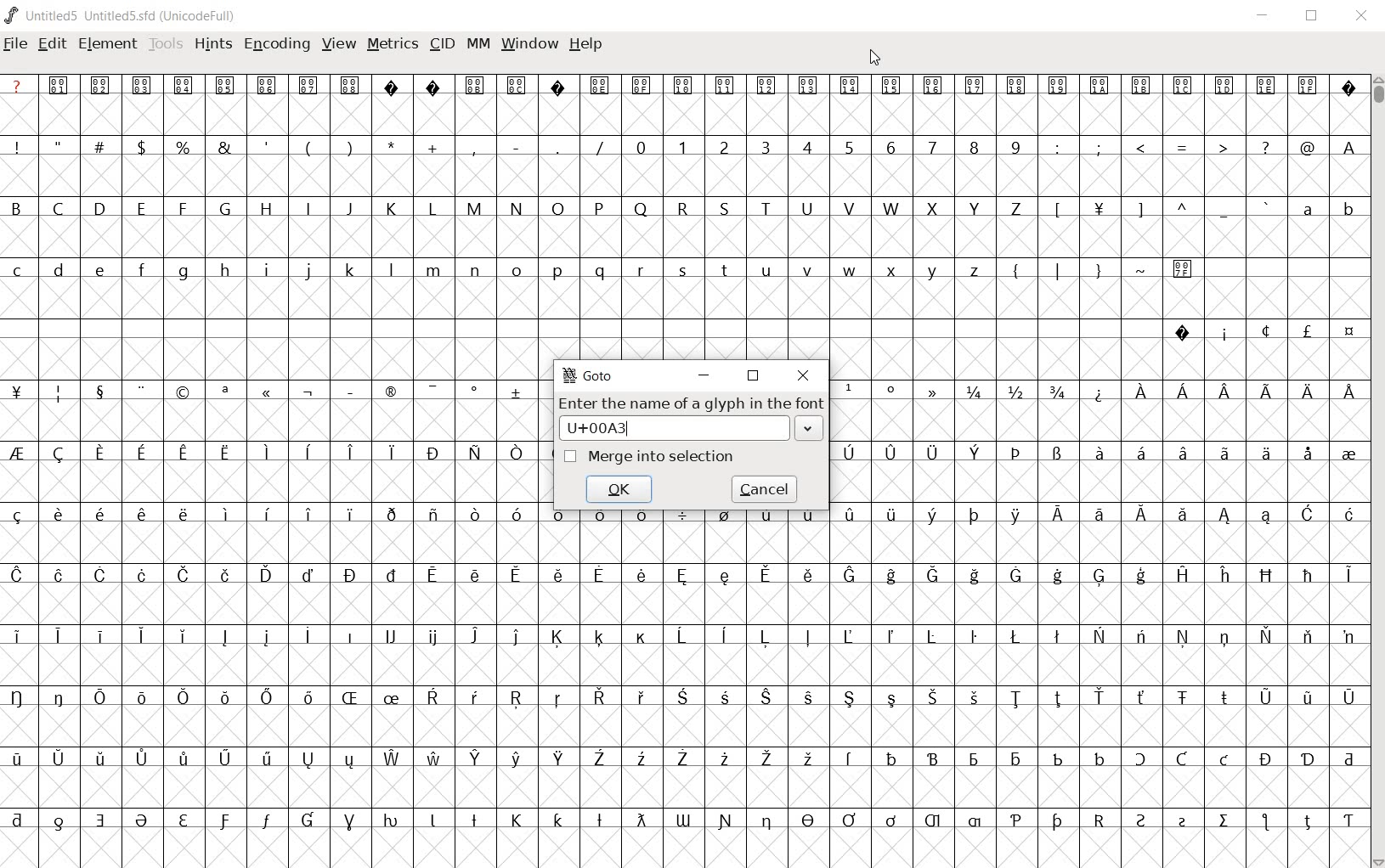  What do you see at coordinates (1183, 332) in the screenshot?
I see `Symbol` at bounding box center [1183, 332].